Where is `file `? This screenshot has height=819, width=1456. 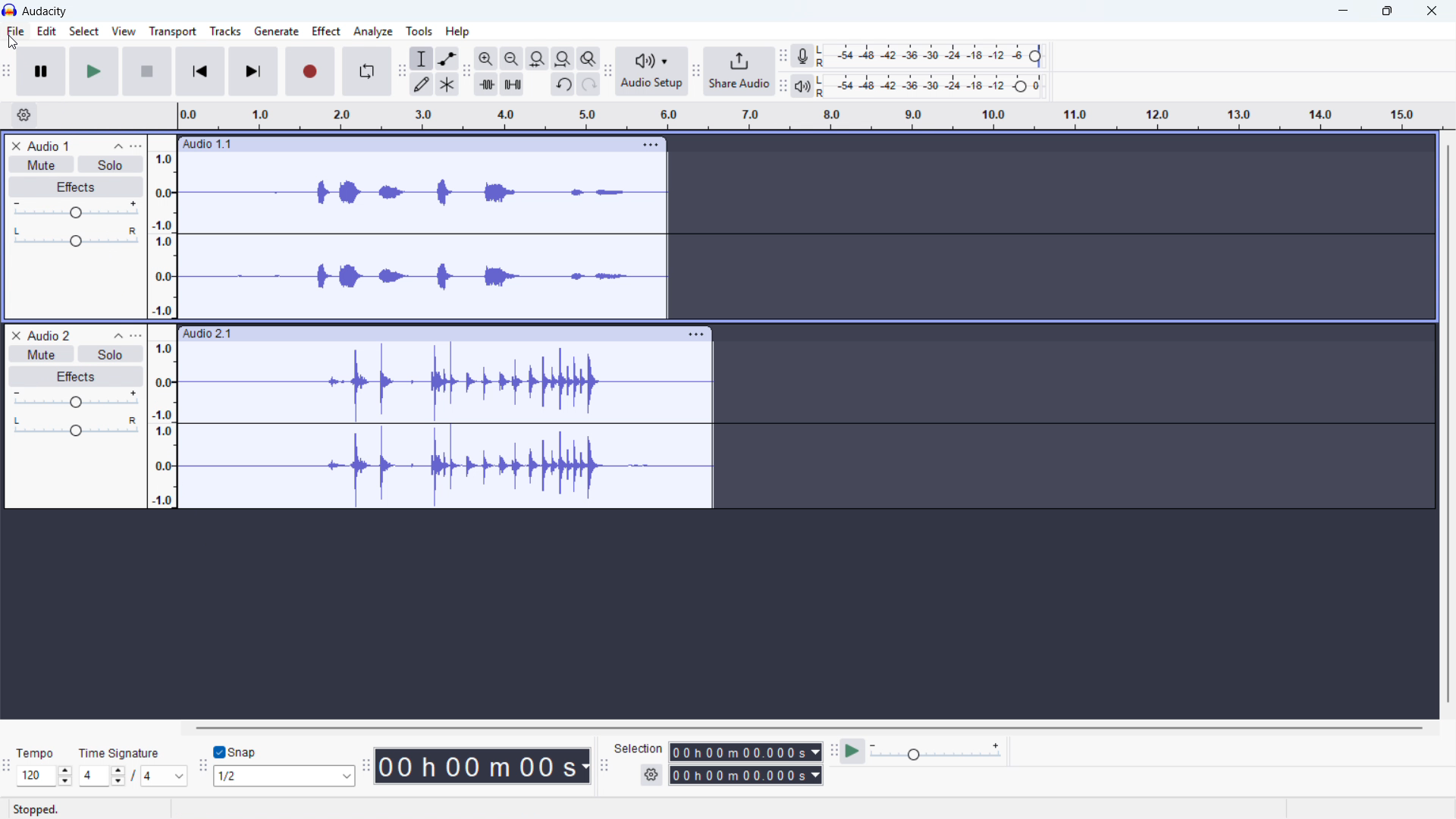 file  is located at coordinates (16, 32).